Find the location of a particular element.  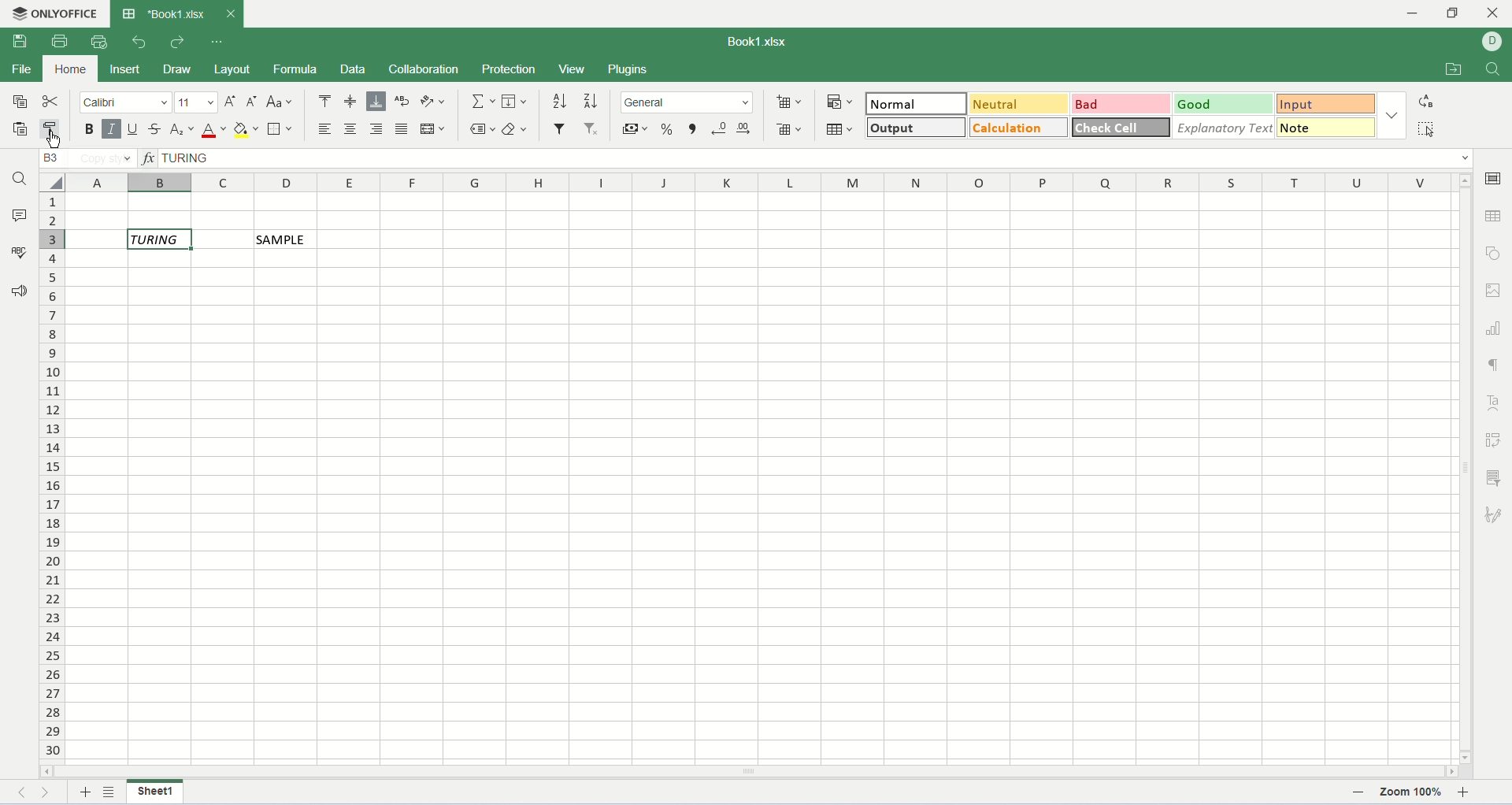

input is located at coordinates (1329, 104).